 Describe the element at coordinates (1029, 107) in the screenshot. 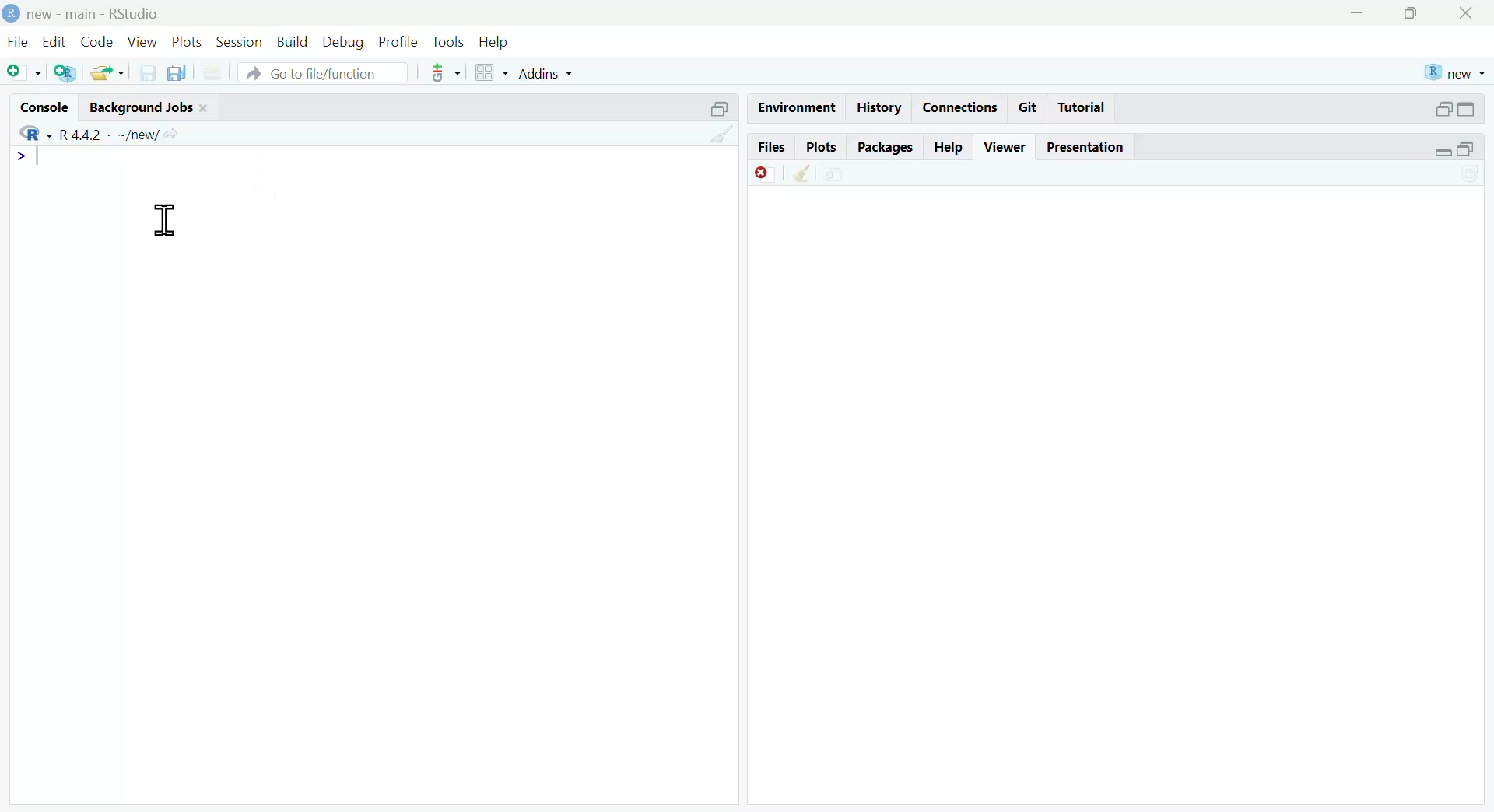

I see `Git` at that location.